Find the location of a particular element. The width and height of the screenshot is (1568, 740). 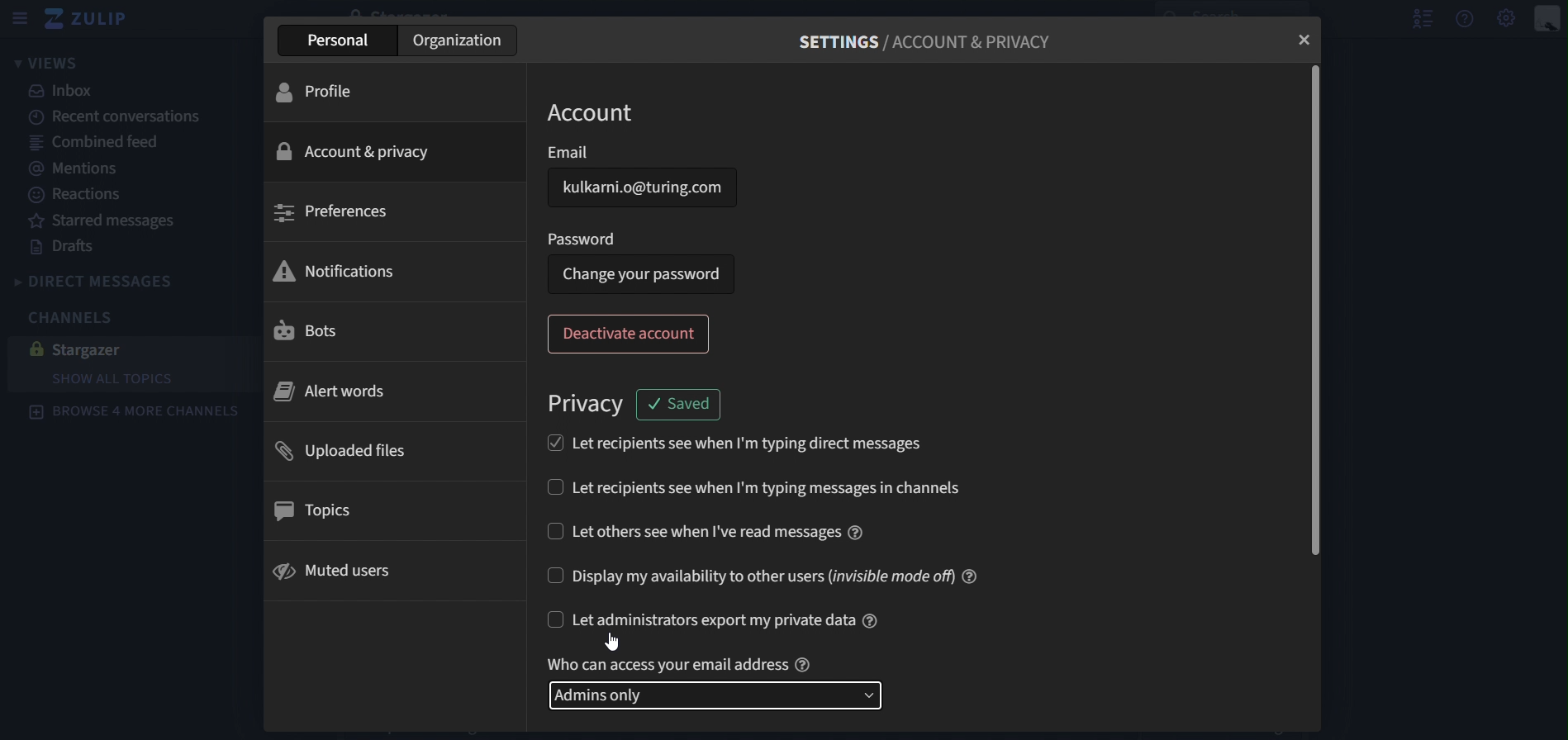

settings/account and privacy is located at coordinates (922, 41).